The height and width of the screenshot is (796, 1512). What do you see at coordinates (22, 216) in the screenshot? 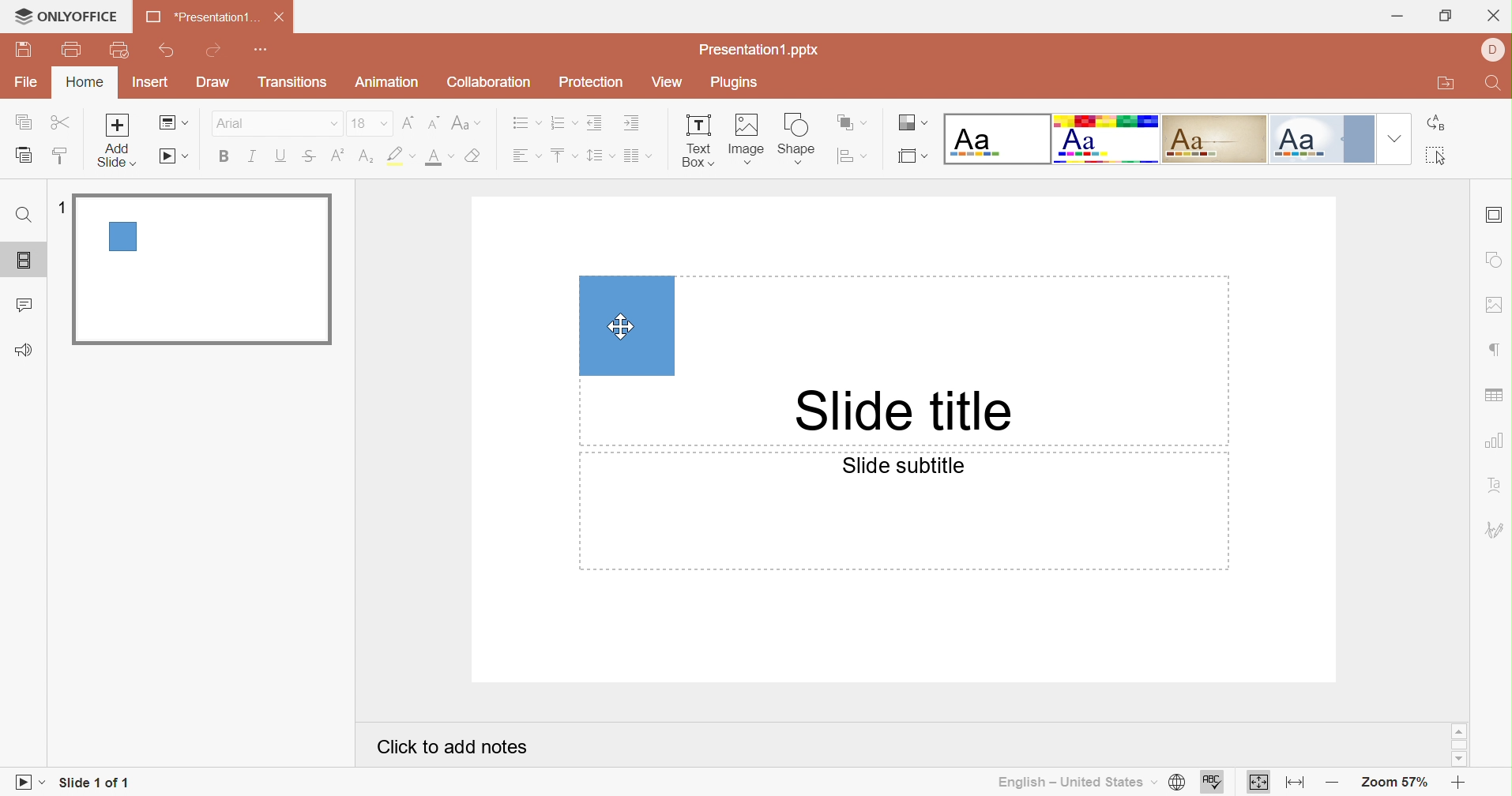
I see `Find` at bounding box center [22, 216].